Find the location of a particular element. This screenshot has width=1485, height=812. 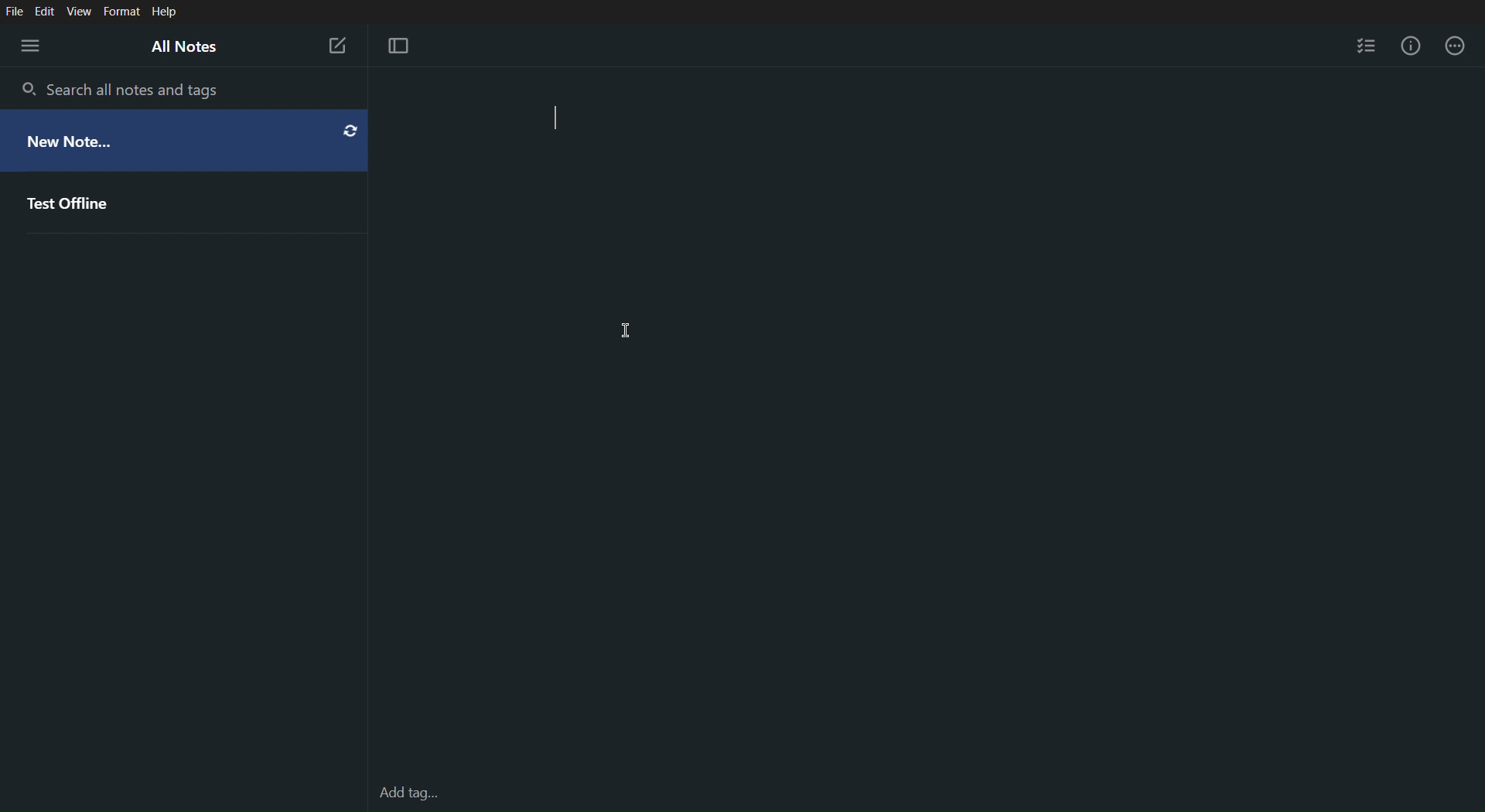

More is located at coordinates (1460, 48).